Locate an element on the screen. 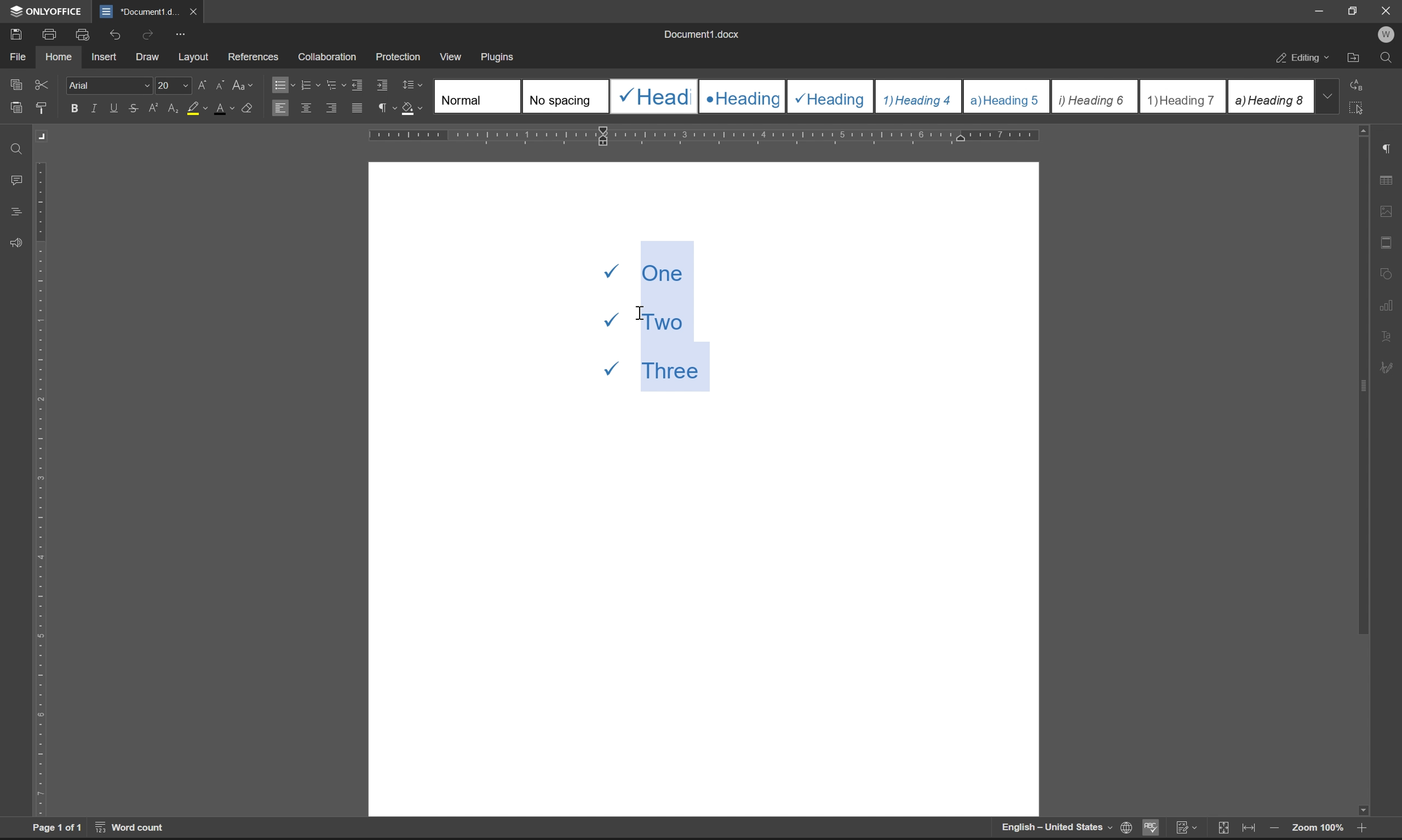 The image size is (1402, 840). document1 is located at coordinates (139, 12).